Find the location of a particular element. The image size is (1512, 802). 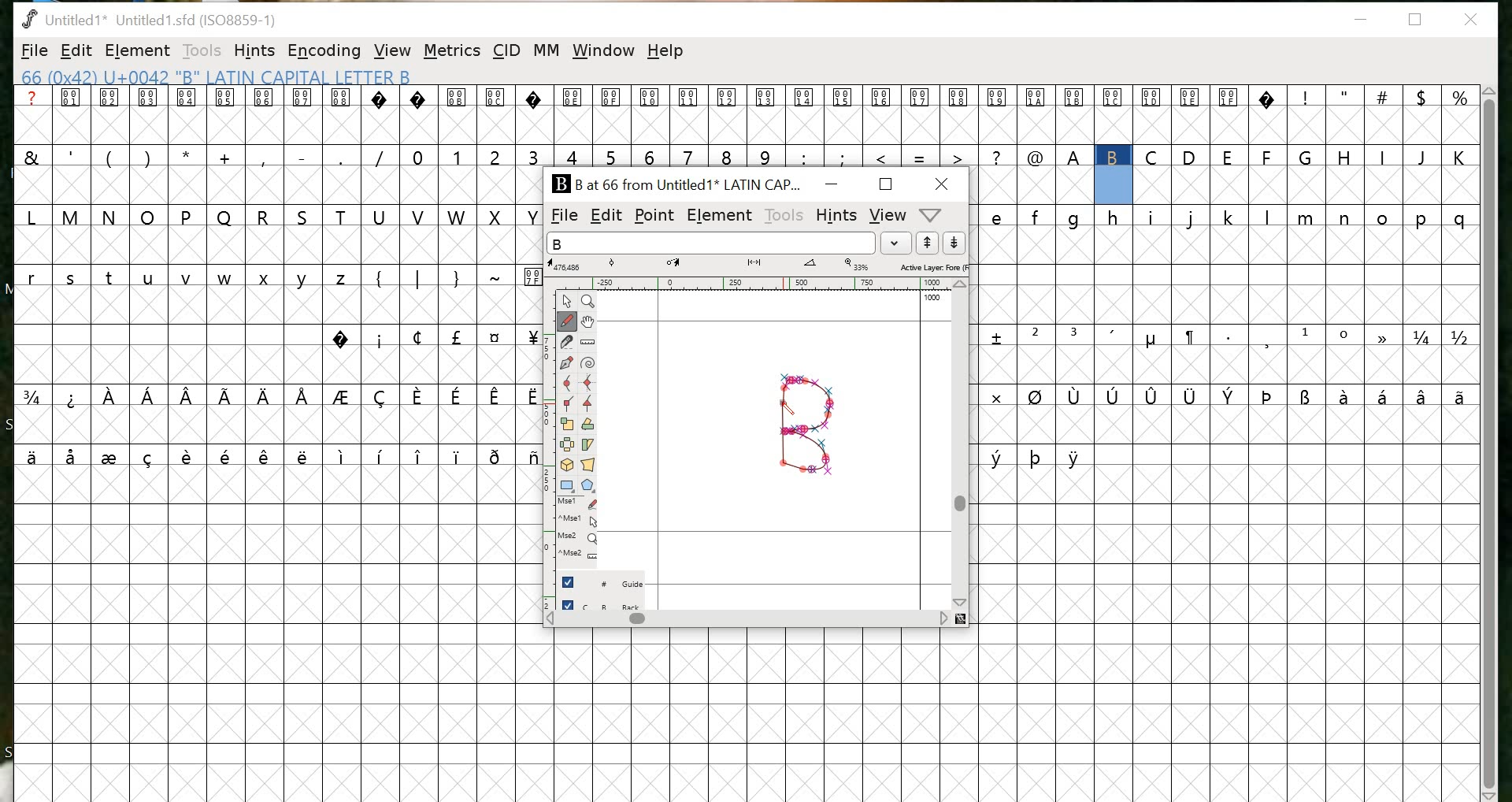

TOOLS is located at coordinates (200, 52).